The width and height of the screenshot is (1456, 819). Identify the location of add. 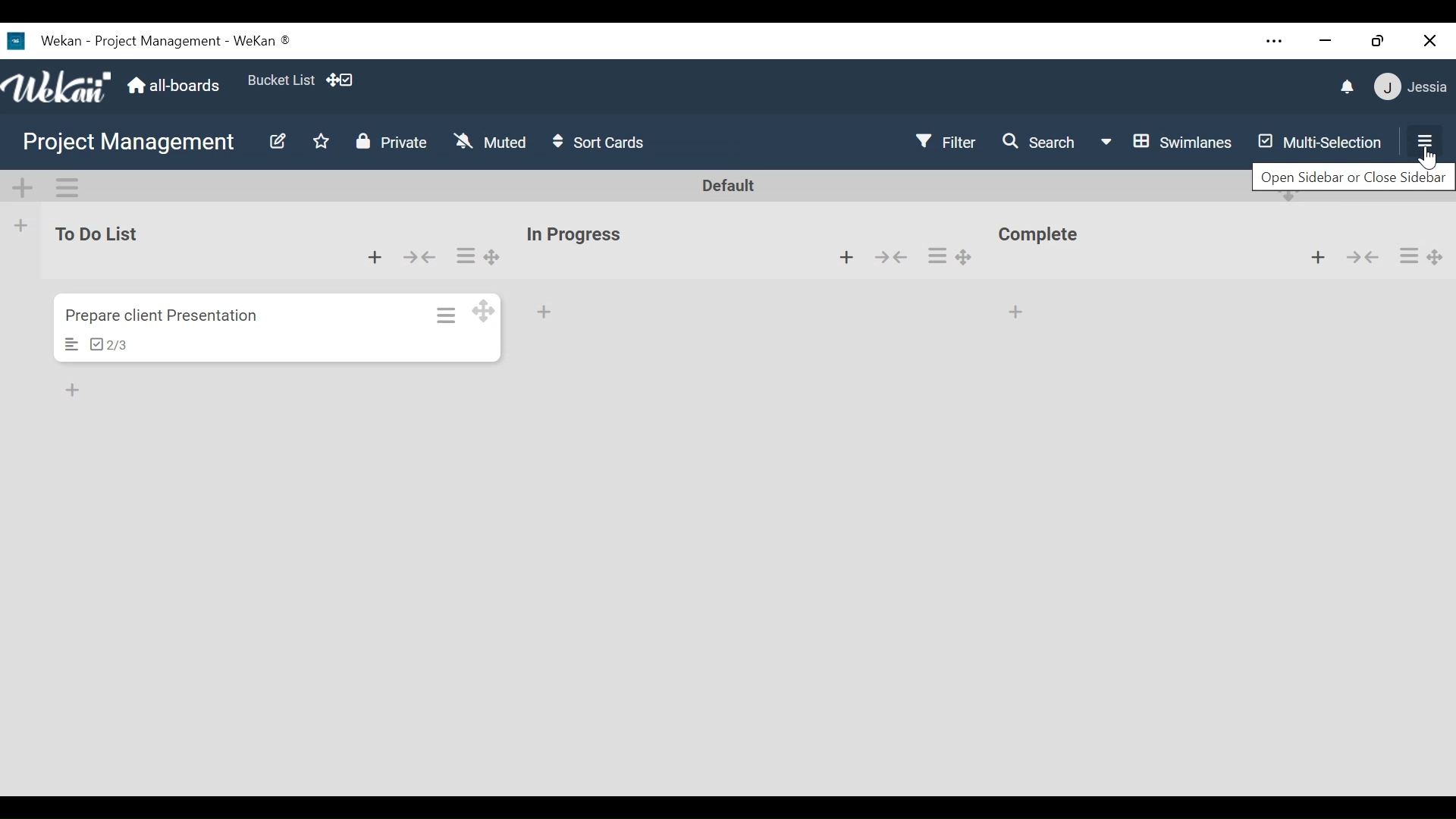
(76, 391).